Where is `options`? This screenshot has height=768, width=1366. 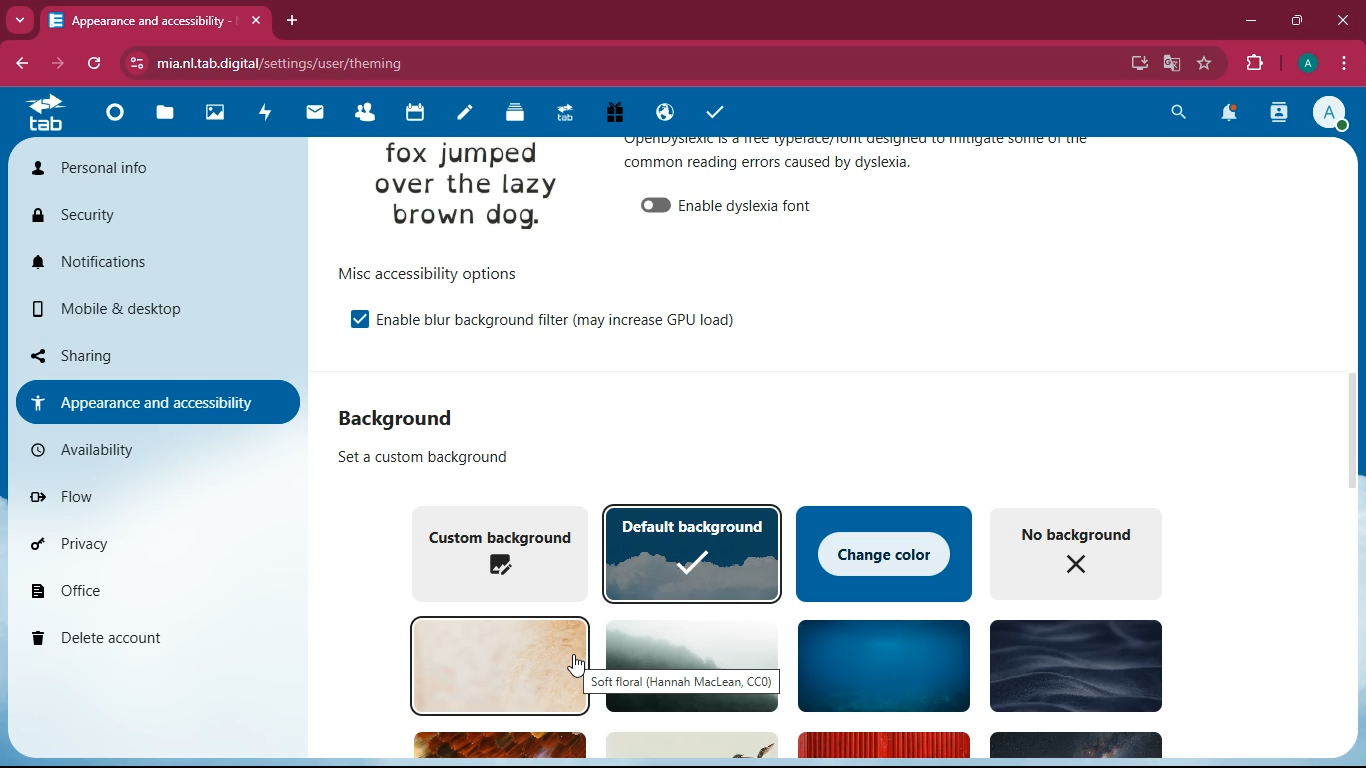
options is located at coordinates (435, 269).